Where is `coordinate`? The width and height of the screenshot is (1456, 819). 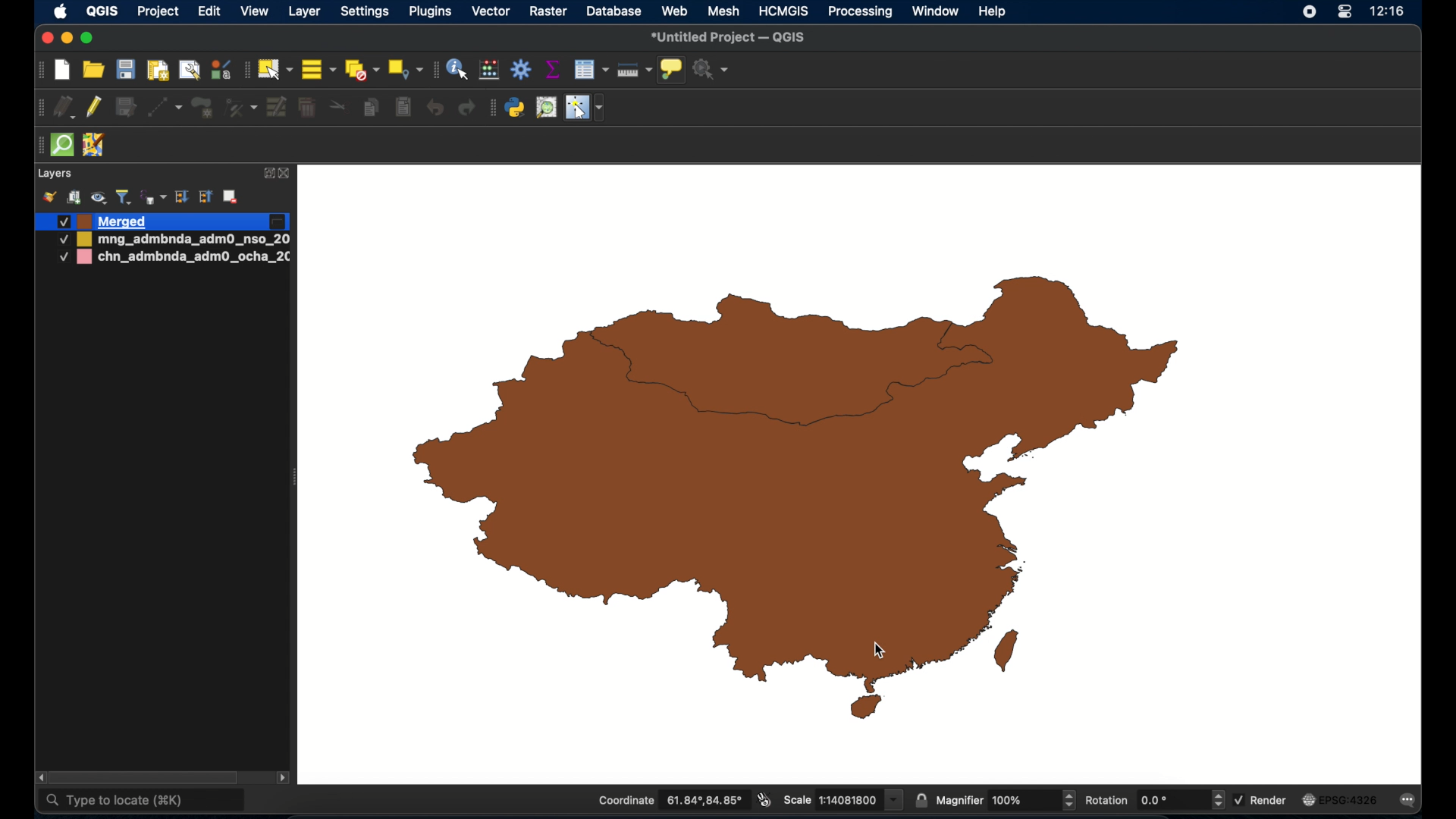 coordinate is located at coordinates (670, 801).